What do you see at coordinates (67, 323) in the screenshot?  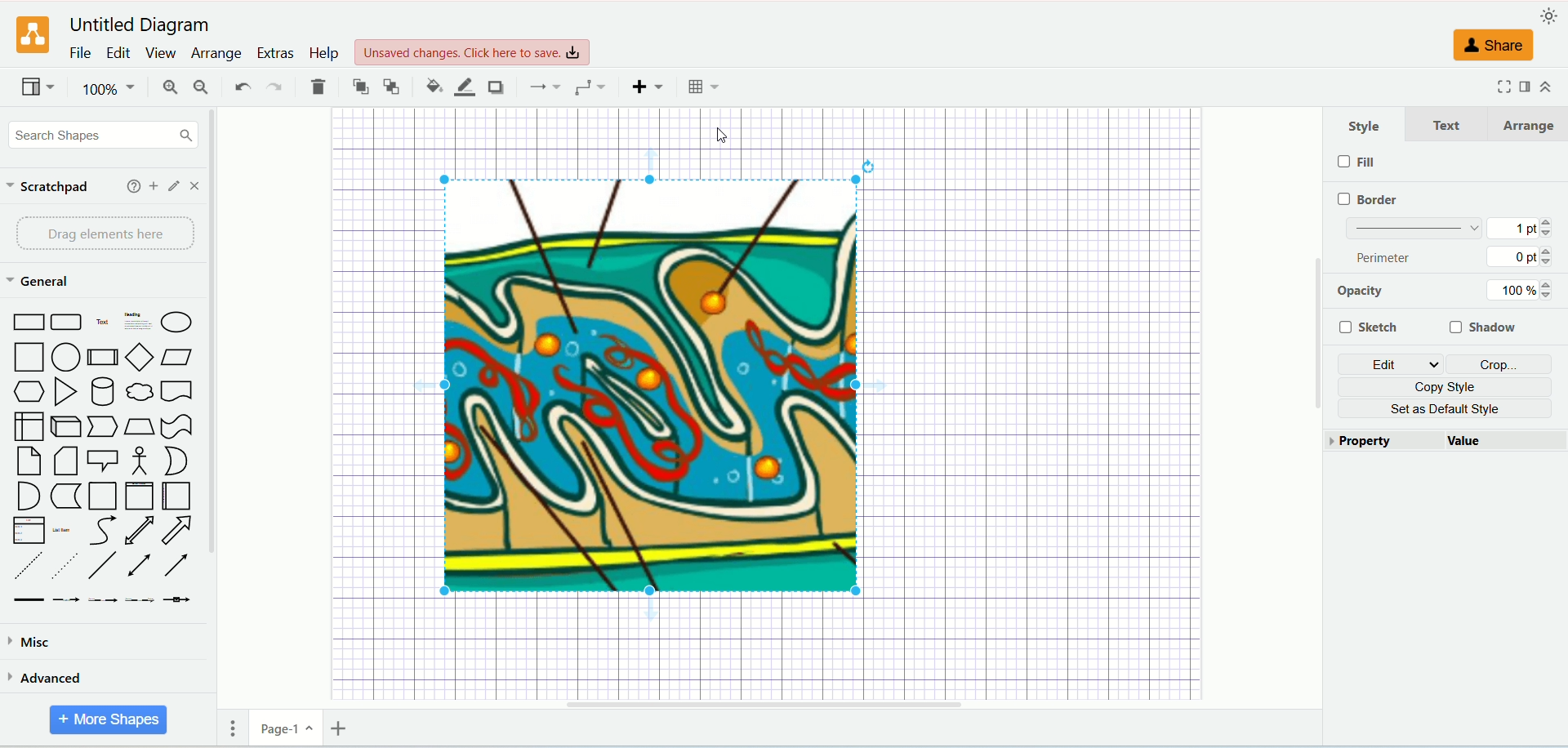 I see `Curved Corner Rectangle` at bounding box center [67, 323].